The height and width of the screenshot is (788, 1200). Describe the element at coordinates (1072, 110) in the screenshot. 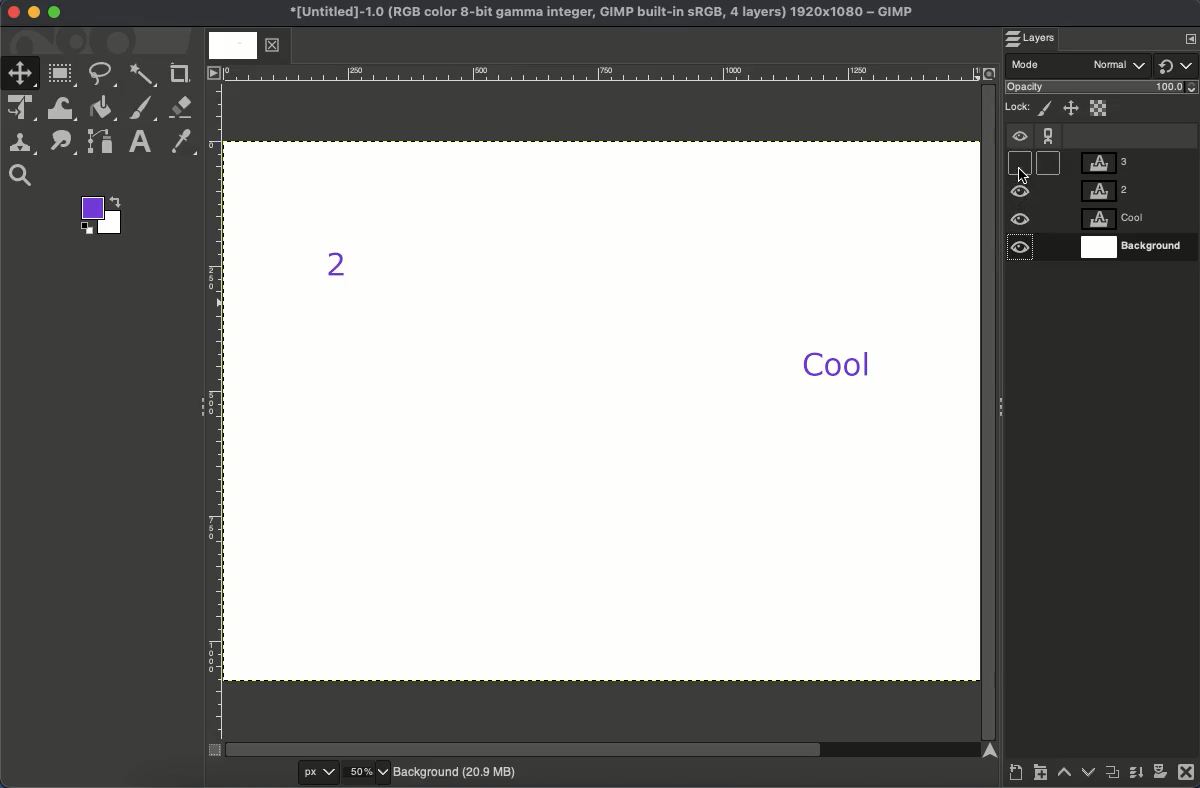

I see `Position and size` at that location.